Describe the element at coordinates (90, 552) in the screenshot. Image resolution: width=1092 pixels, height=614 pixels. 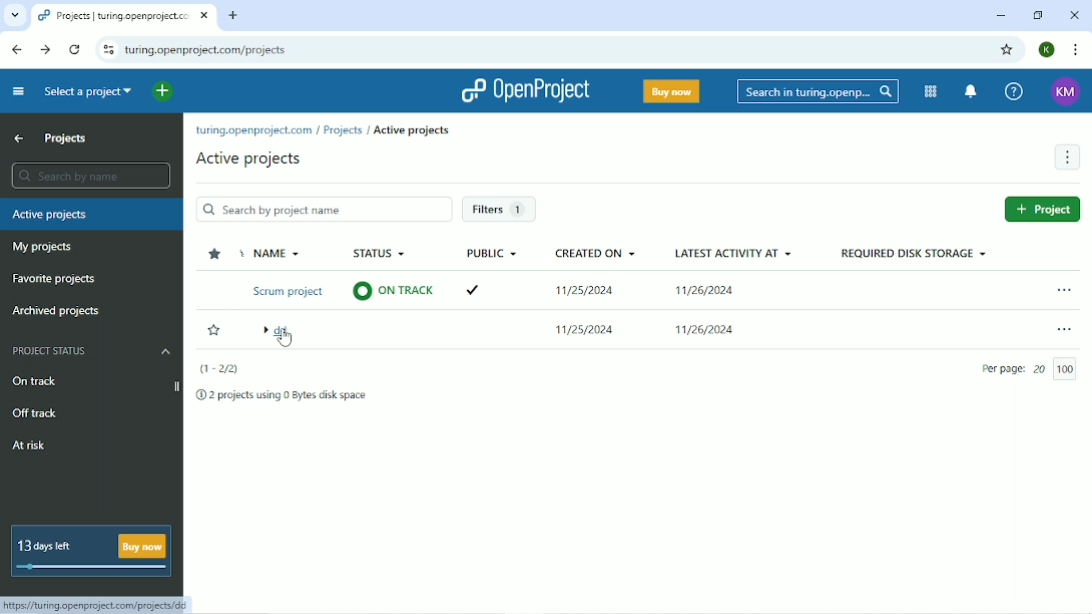
I see `13 days left Buy now` at that location.